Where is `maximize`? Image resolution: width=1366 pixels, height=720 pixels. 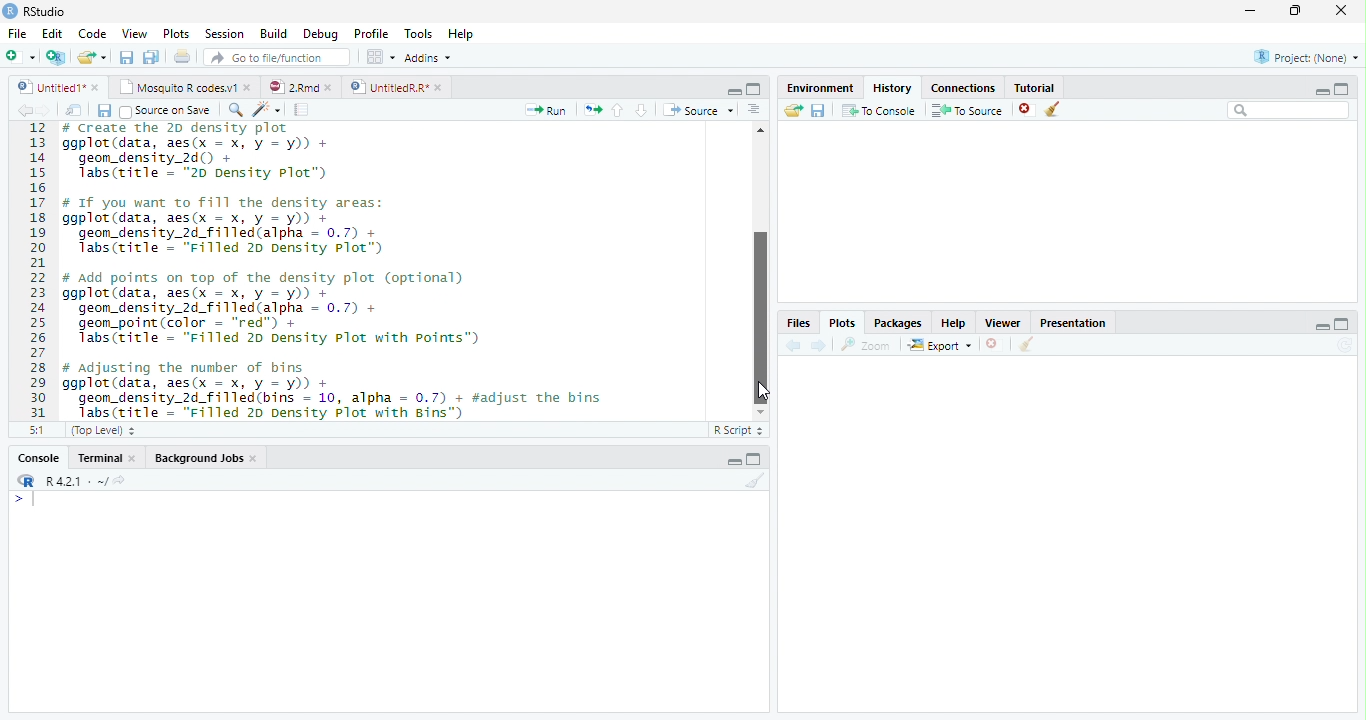 maximize is located at coordinates (1342, 88).